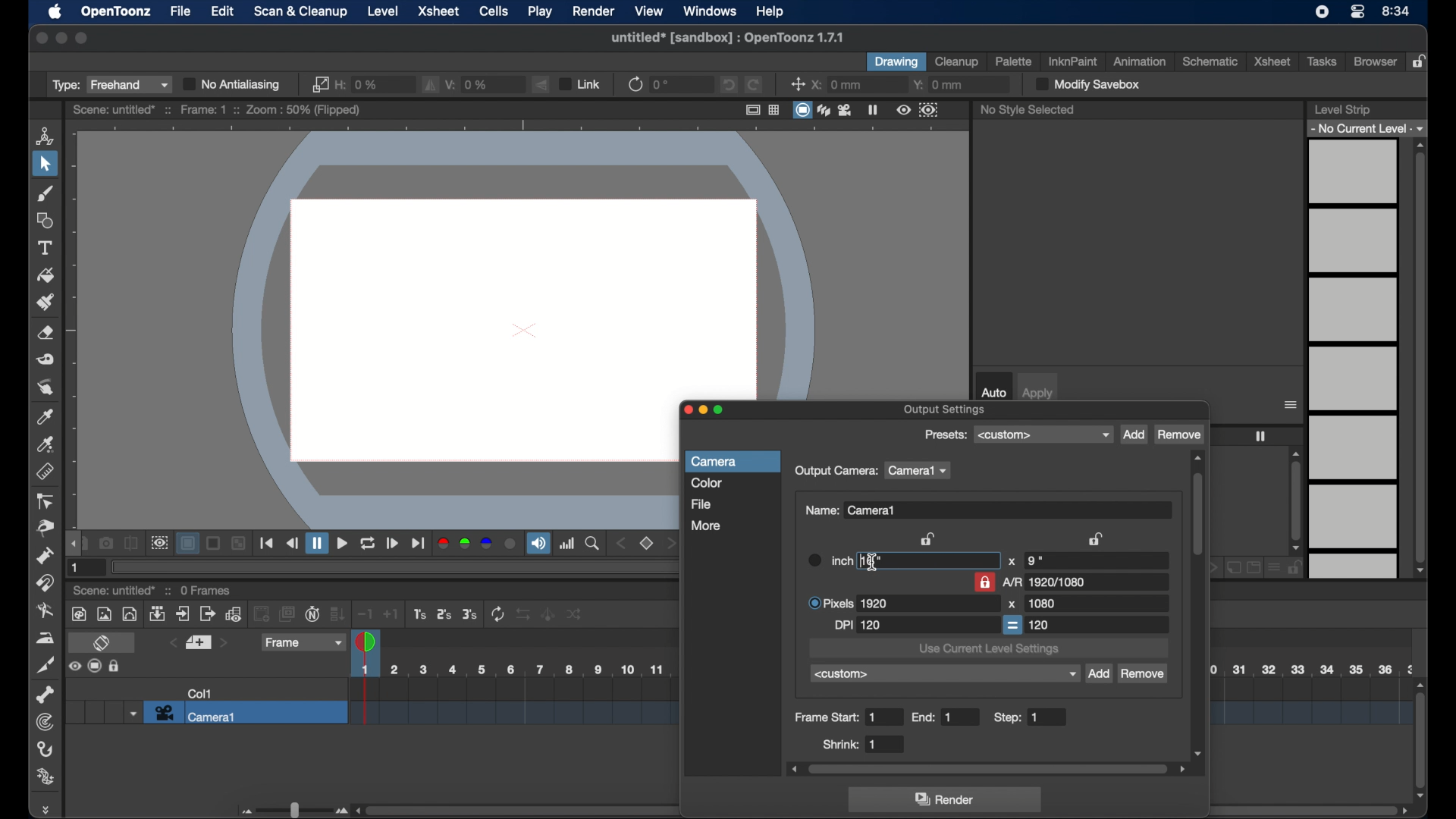 The height and width of the screenshot is (819, 1456). What do you see at coordinates (1421, 739) in the screenshot?
I see `scroll box` at bounding box center [1421, 739].